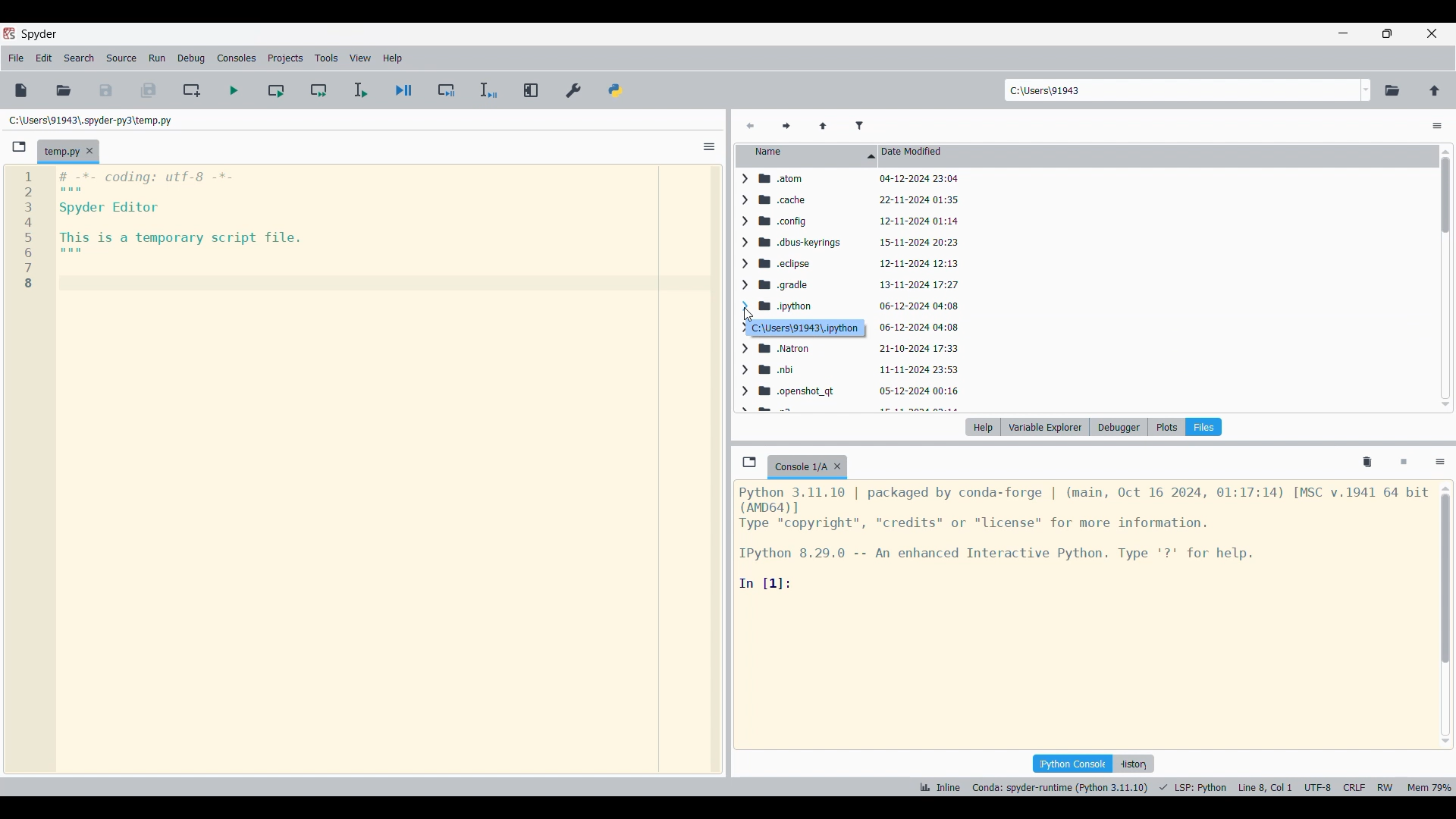  I want to click on Create new cell at current line, so click(190, 90).